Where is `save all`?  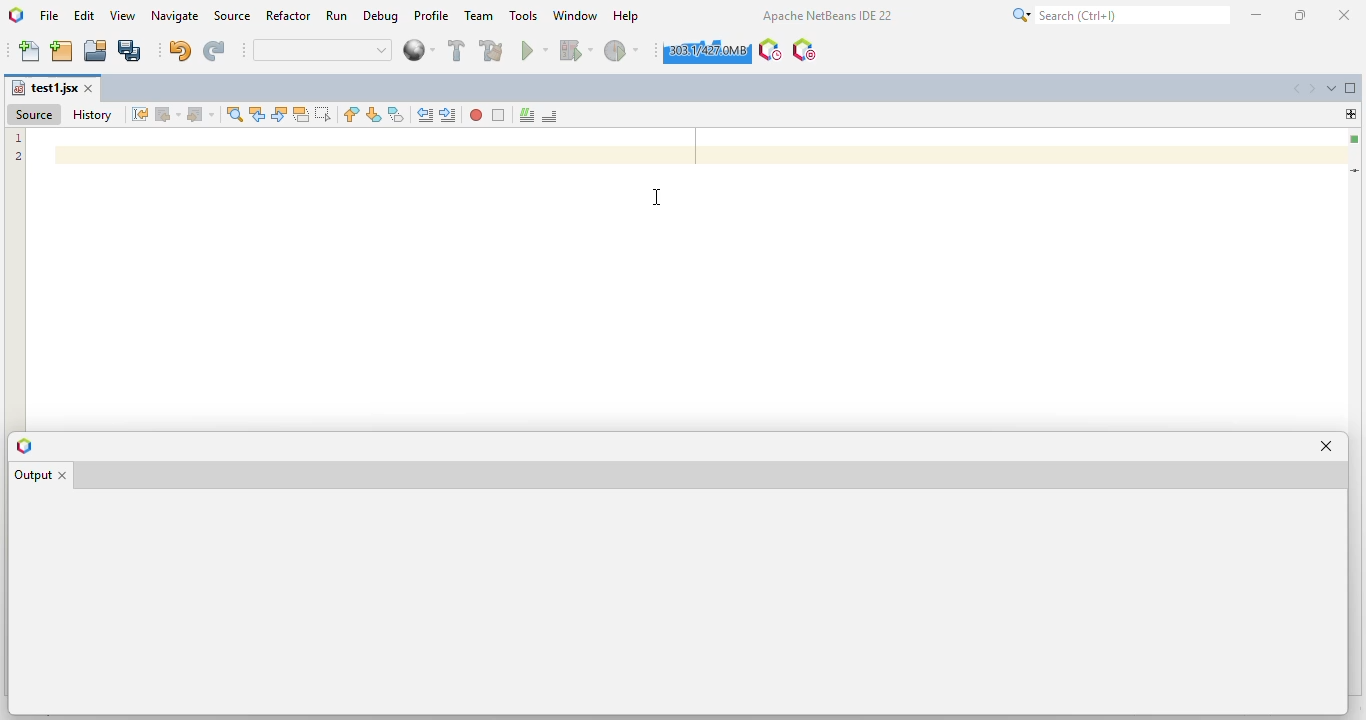
save all is located at coordinates (130, 51).